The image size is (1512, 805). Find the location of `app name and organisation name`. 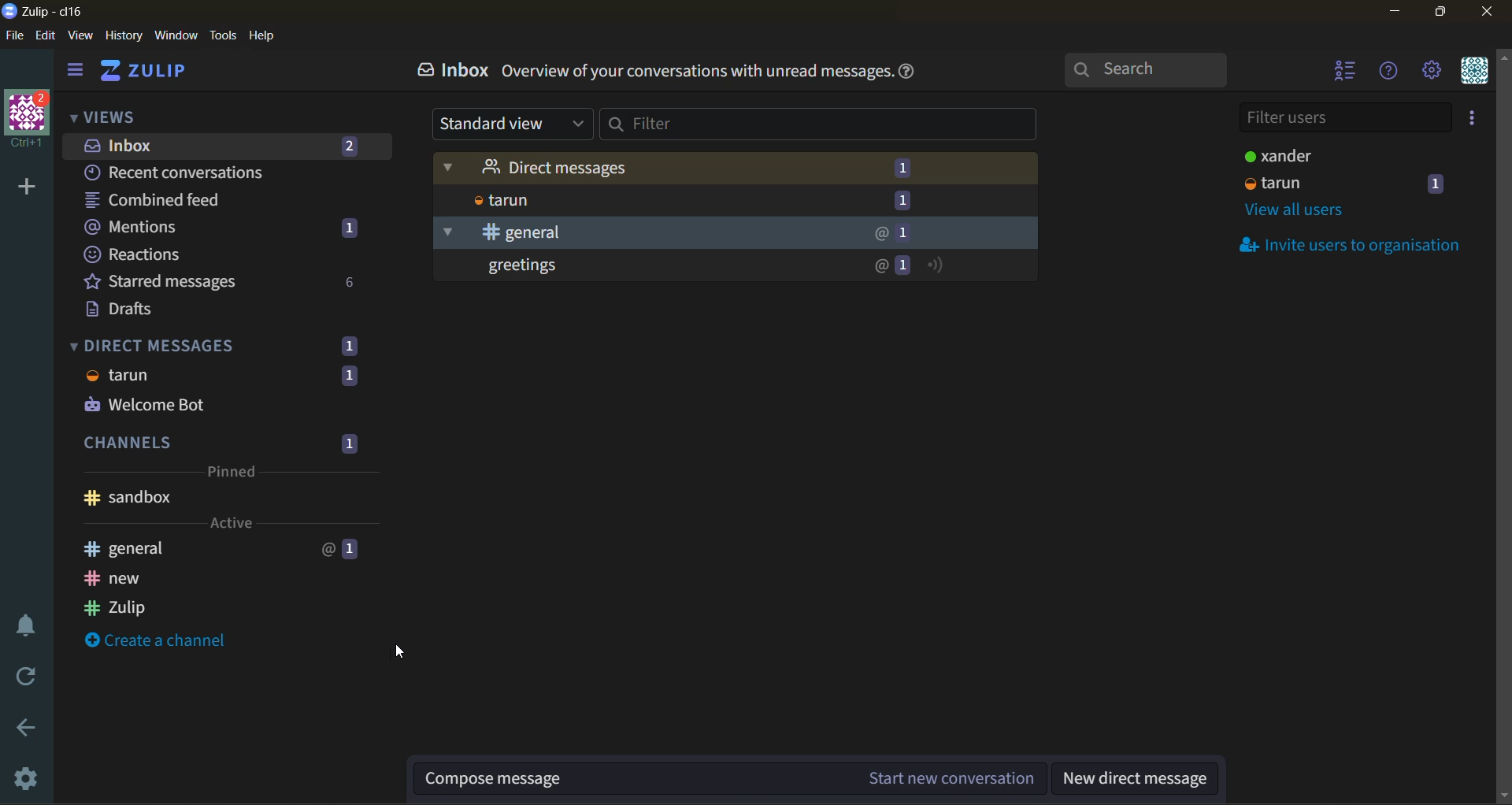

app name and organisation name is located at coordinates (43, 10).